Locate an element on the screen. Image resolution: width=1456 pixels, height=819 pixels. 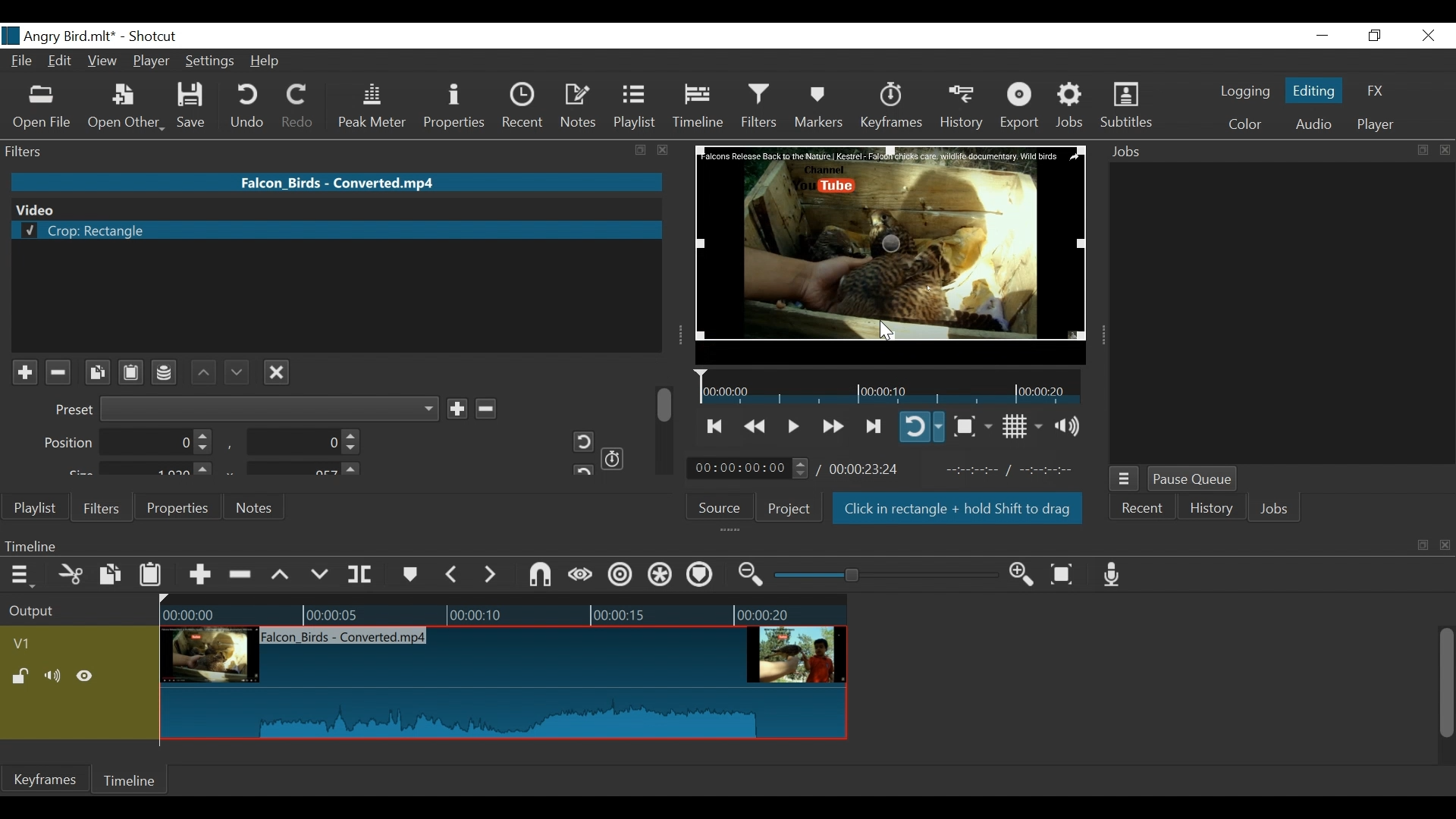
Skip to the previous point is located at coordinates (716, 426).